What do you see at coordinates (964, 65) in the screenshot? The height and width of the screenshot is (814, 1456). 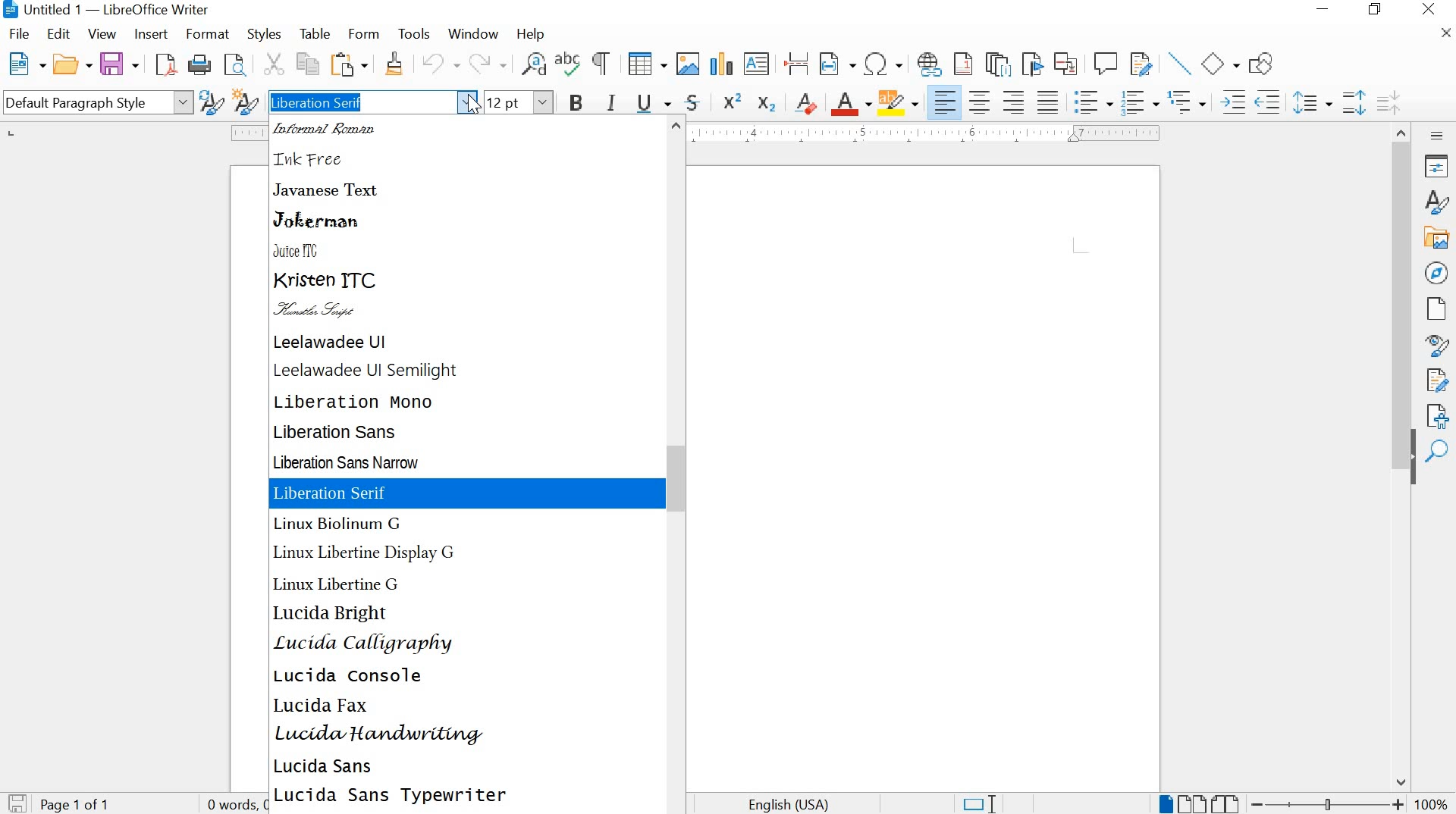 I see `INSERT FOOTNOTE` at bounding box center [964, 65].